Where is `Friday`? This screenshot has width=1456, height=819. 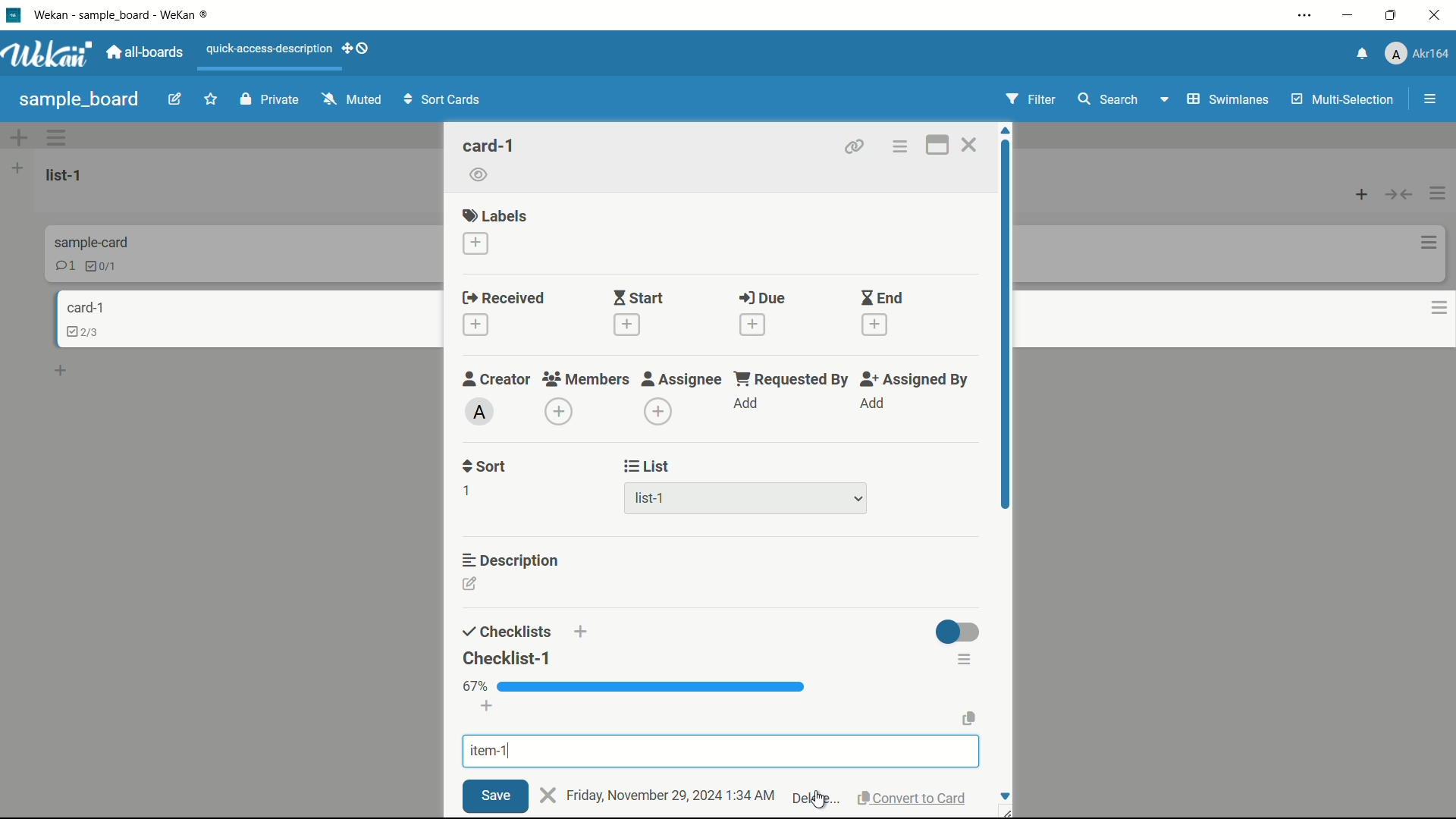 Friday is located at coordinates (585, 794).